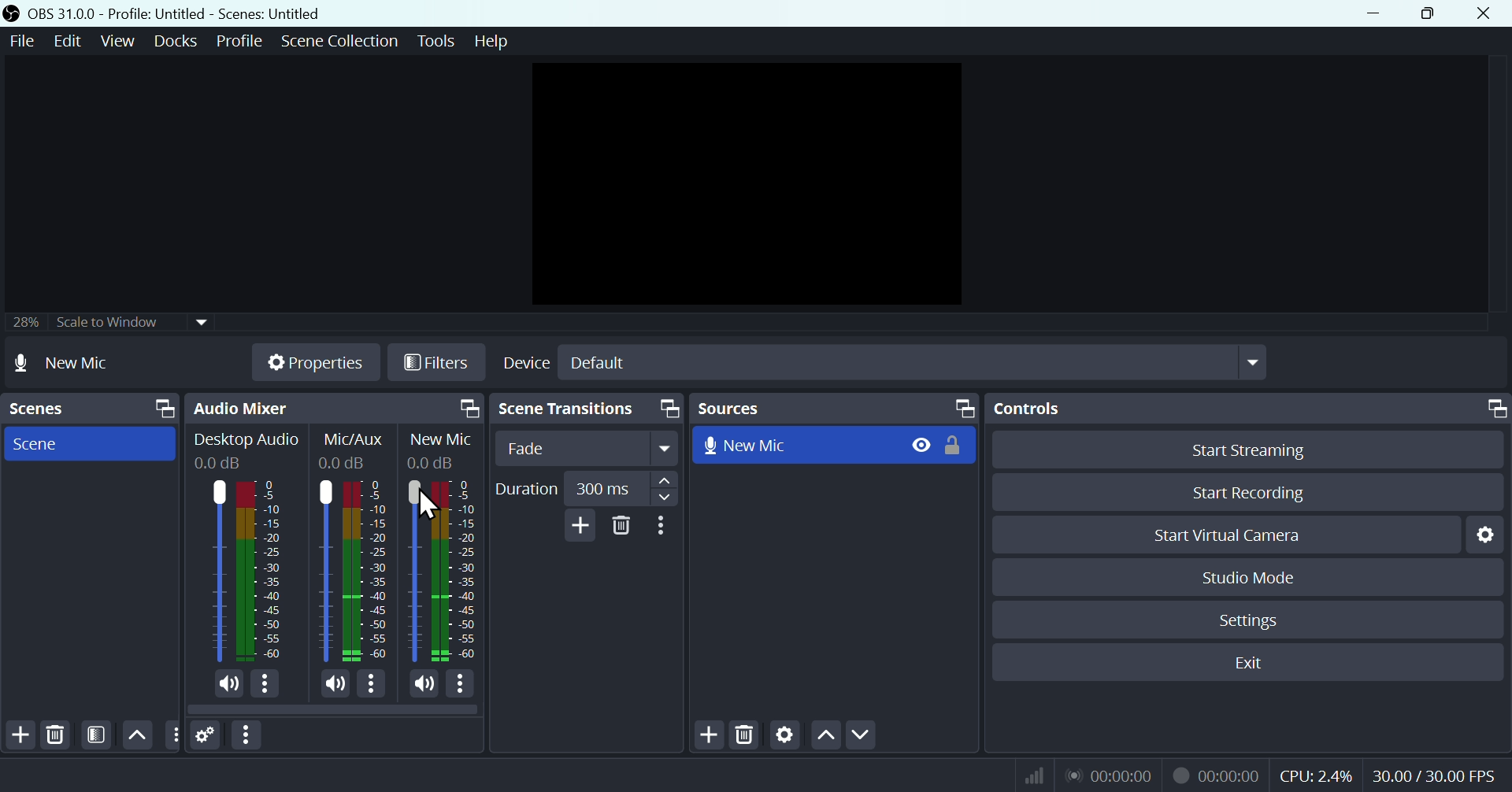  What do you see at coordinates (664, 526) in the screenshot?
I see `More options` at bounding box center [664, 526].